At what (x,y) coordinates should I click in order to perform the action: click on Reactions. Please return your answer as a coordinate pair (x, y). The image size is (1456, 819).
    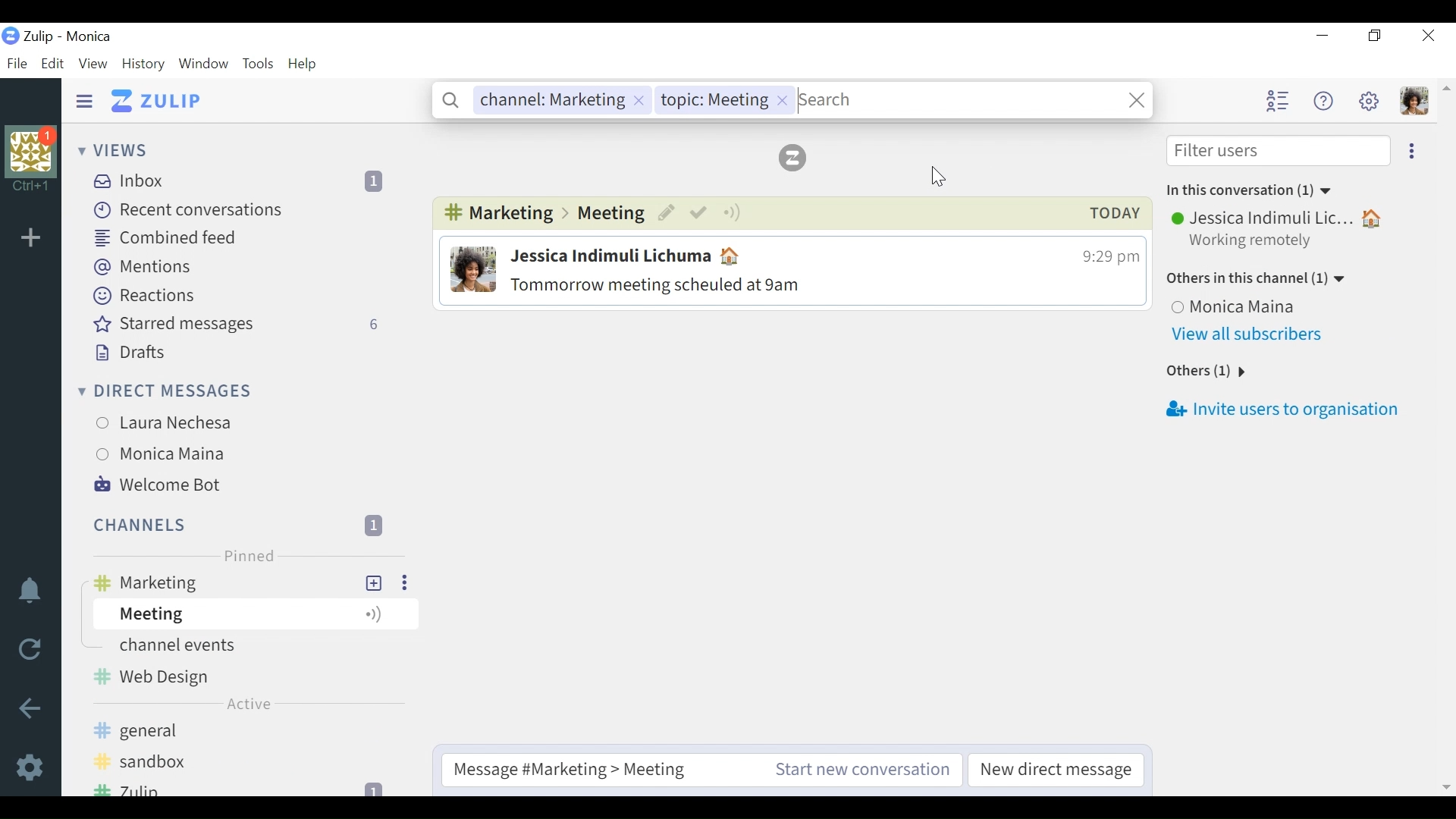
    Looking at the image, I should click on (143, 296).